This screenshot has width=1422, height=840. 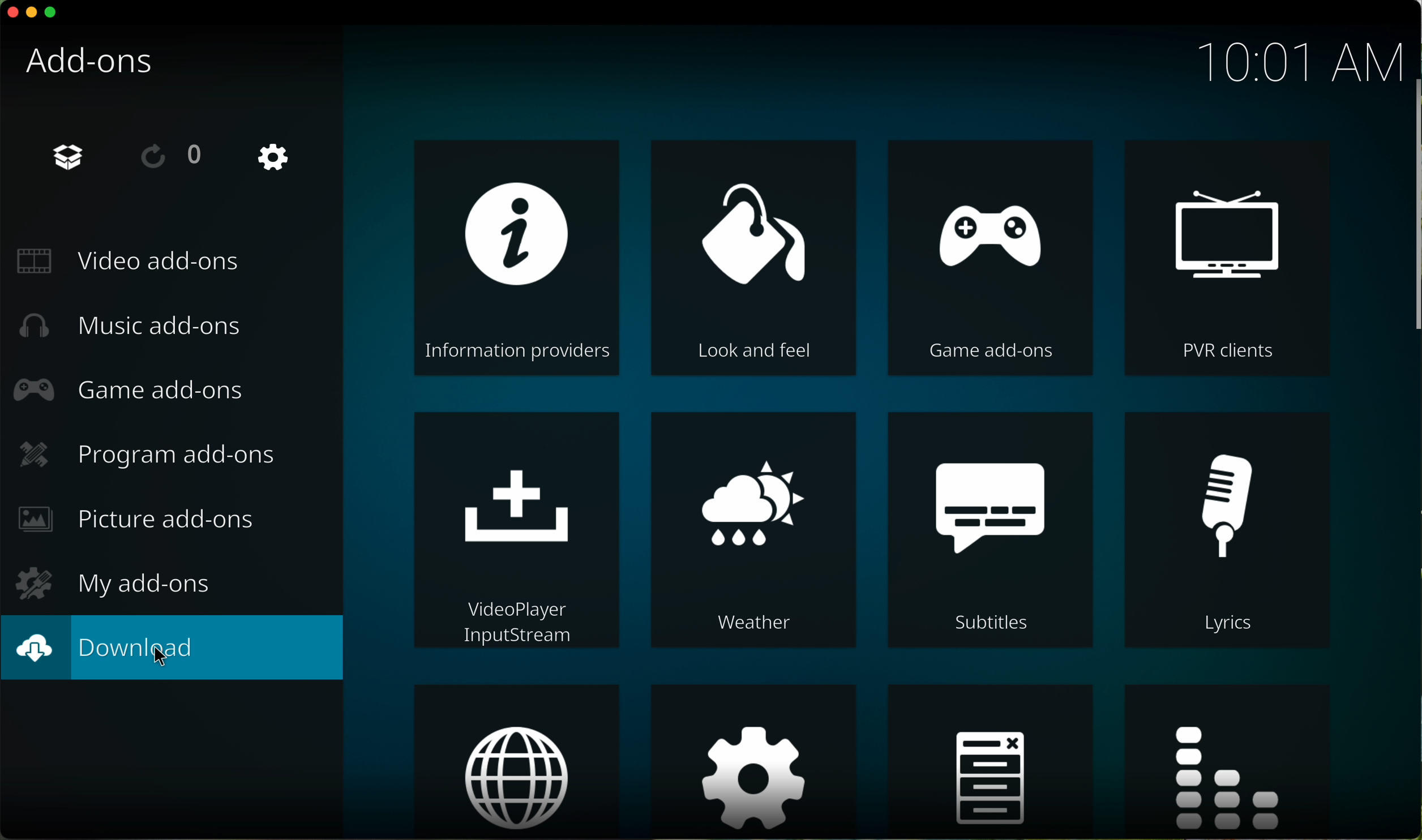 I want to click on music add-ons, so click(x=135, y=327).